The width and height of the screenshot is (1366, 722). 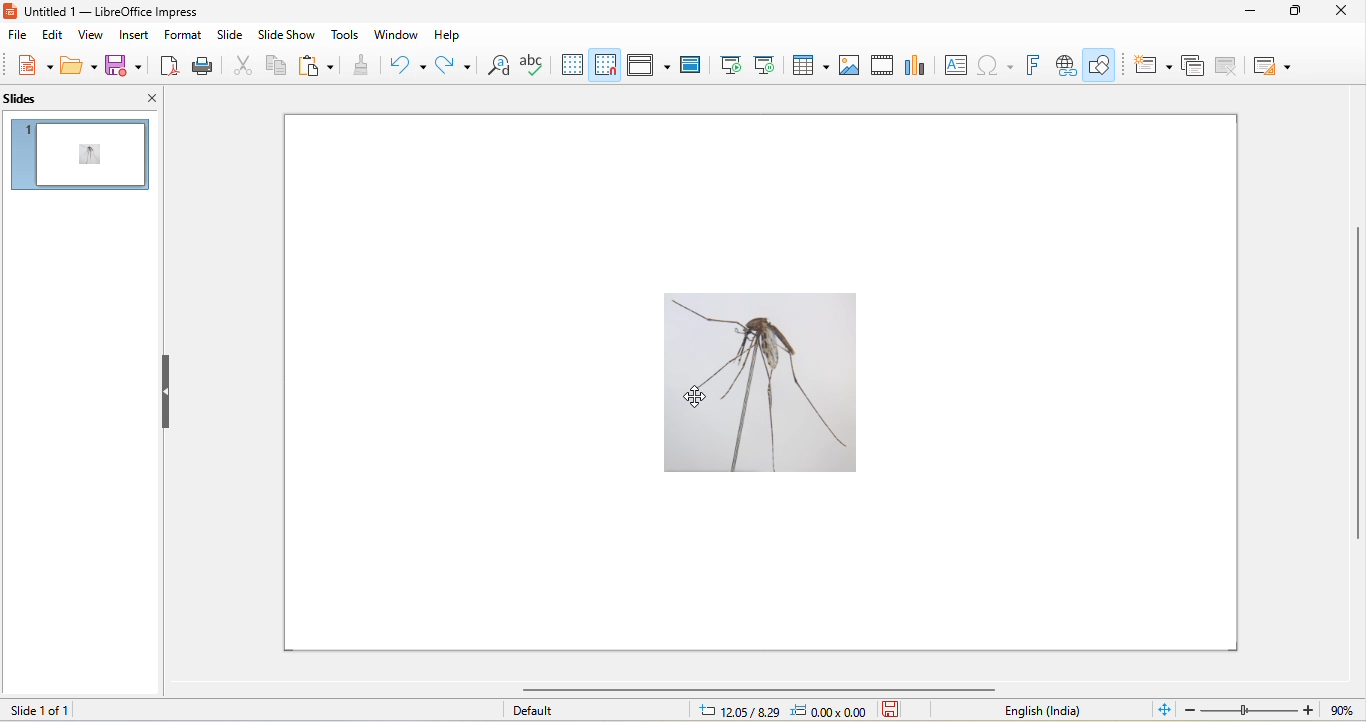 I want to click on paste, so click(x=315, y=64).